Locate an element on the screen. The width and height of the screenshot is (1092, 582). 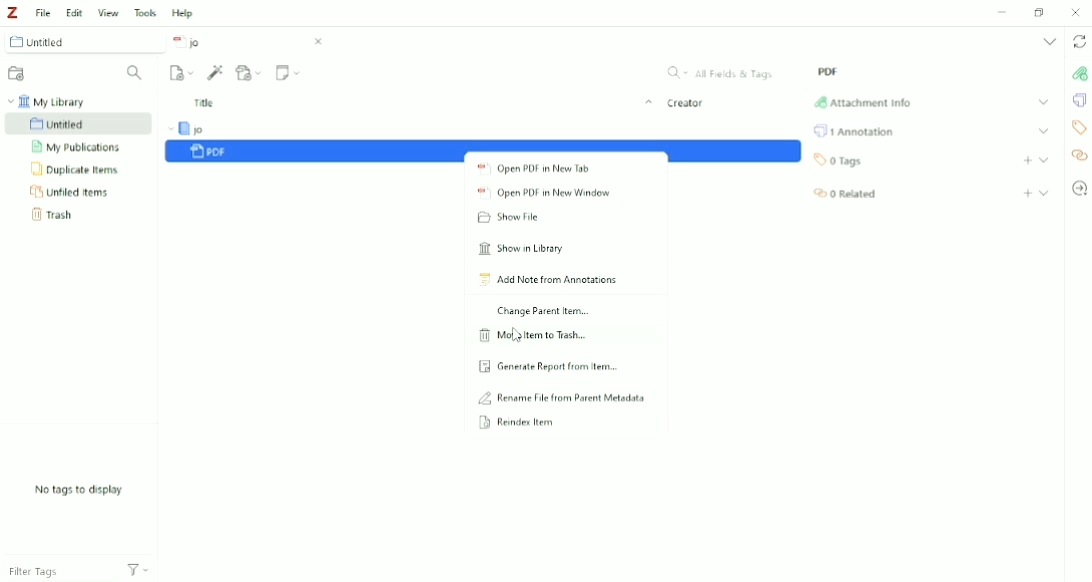
Attachment Info is located at coordinates (1076, 74).